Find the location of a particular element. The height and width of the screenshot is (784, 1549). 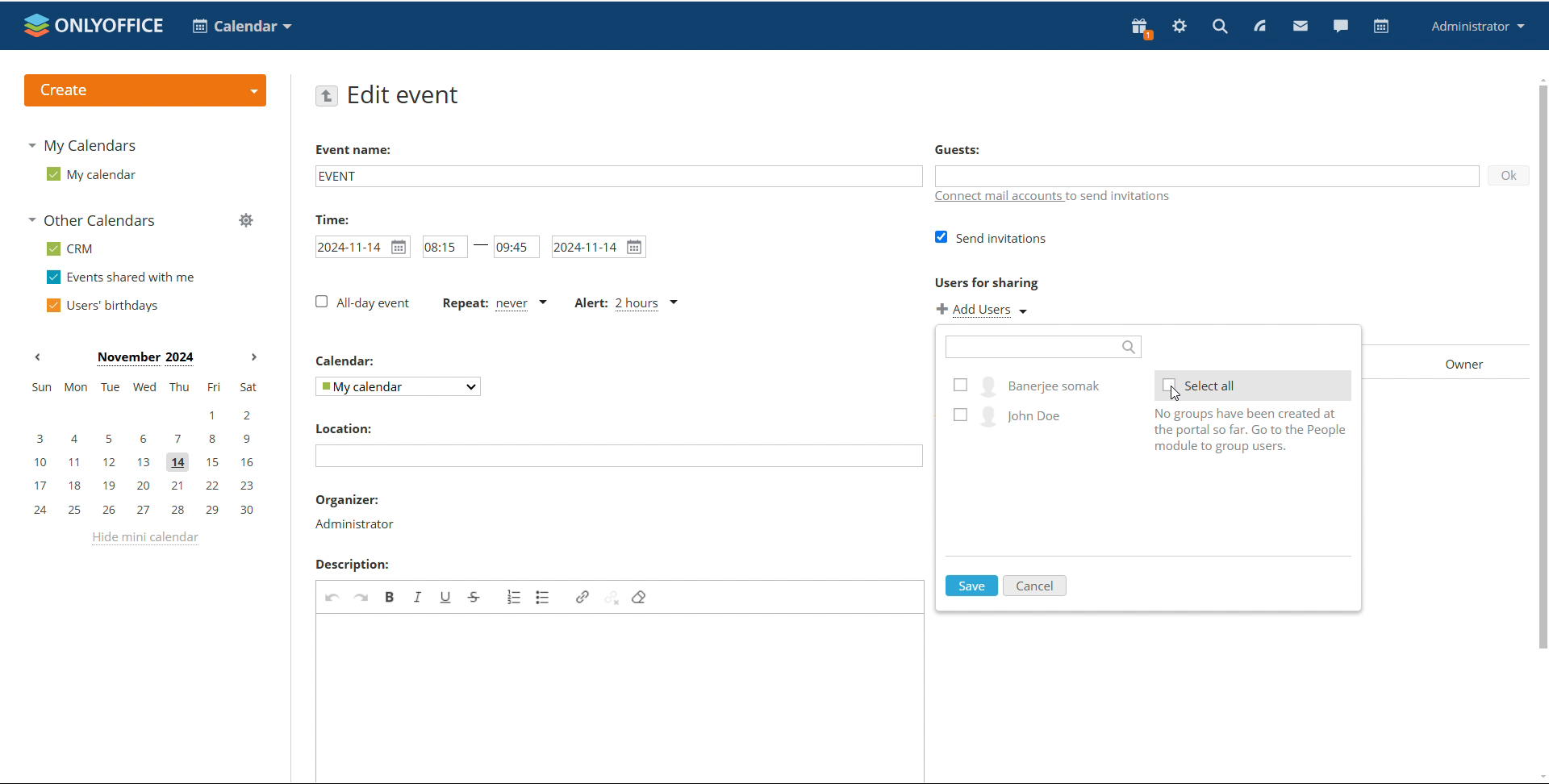

my calendars is located at coordinates (81, 147).